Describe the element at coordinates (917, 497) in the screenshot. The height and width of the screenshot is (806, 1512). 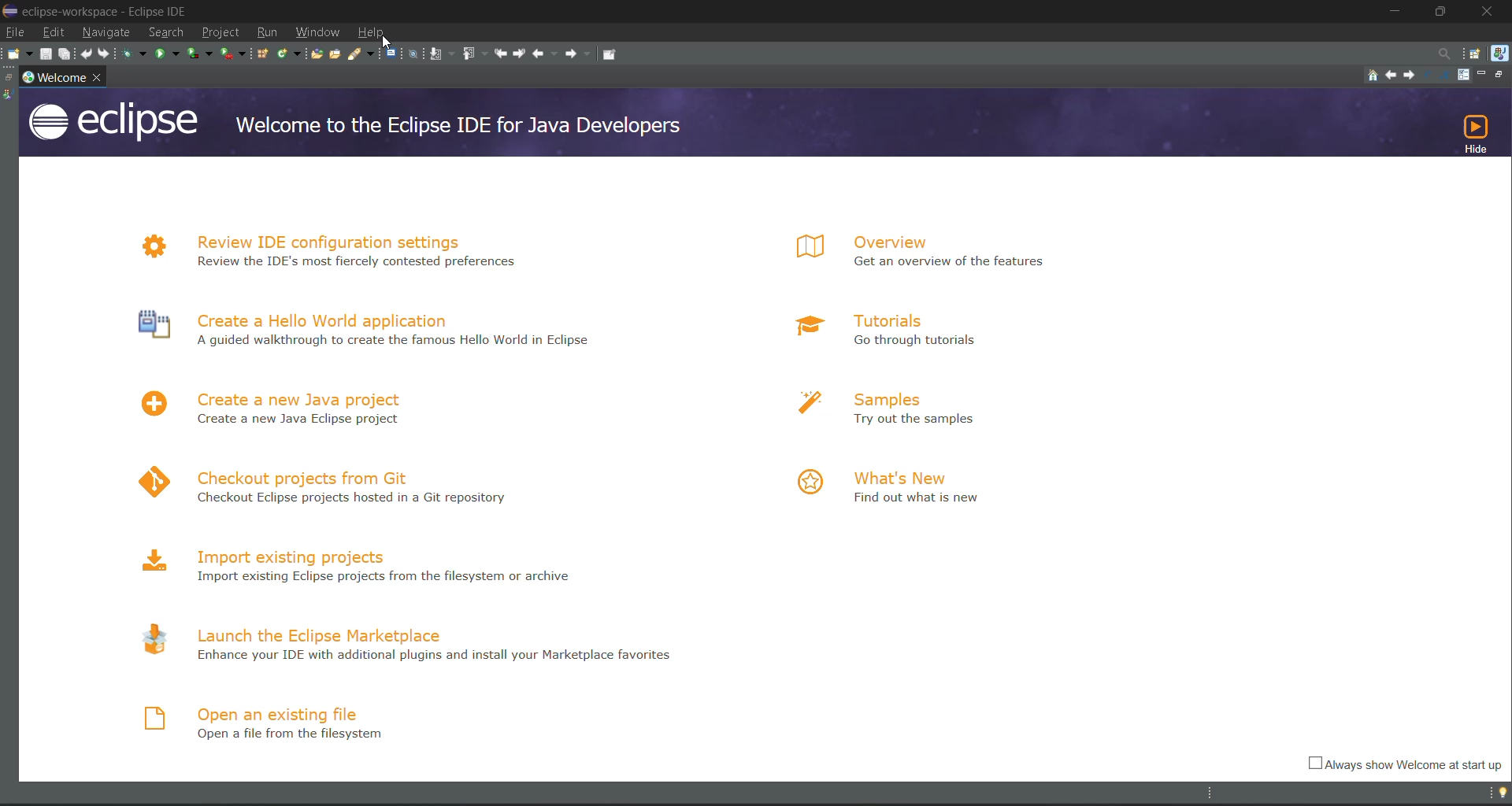
I see `Find out what is new` at that location.